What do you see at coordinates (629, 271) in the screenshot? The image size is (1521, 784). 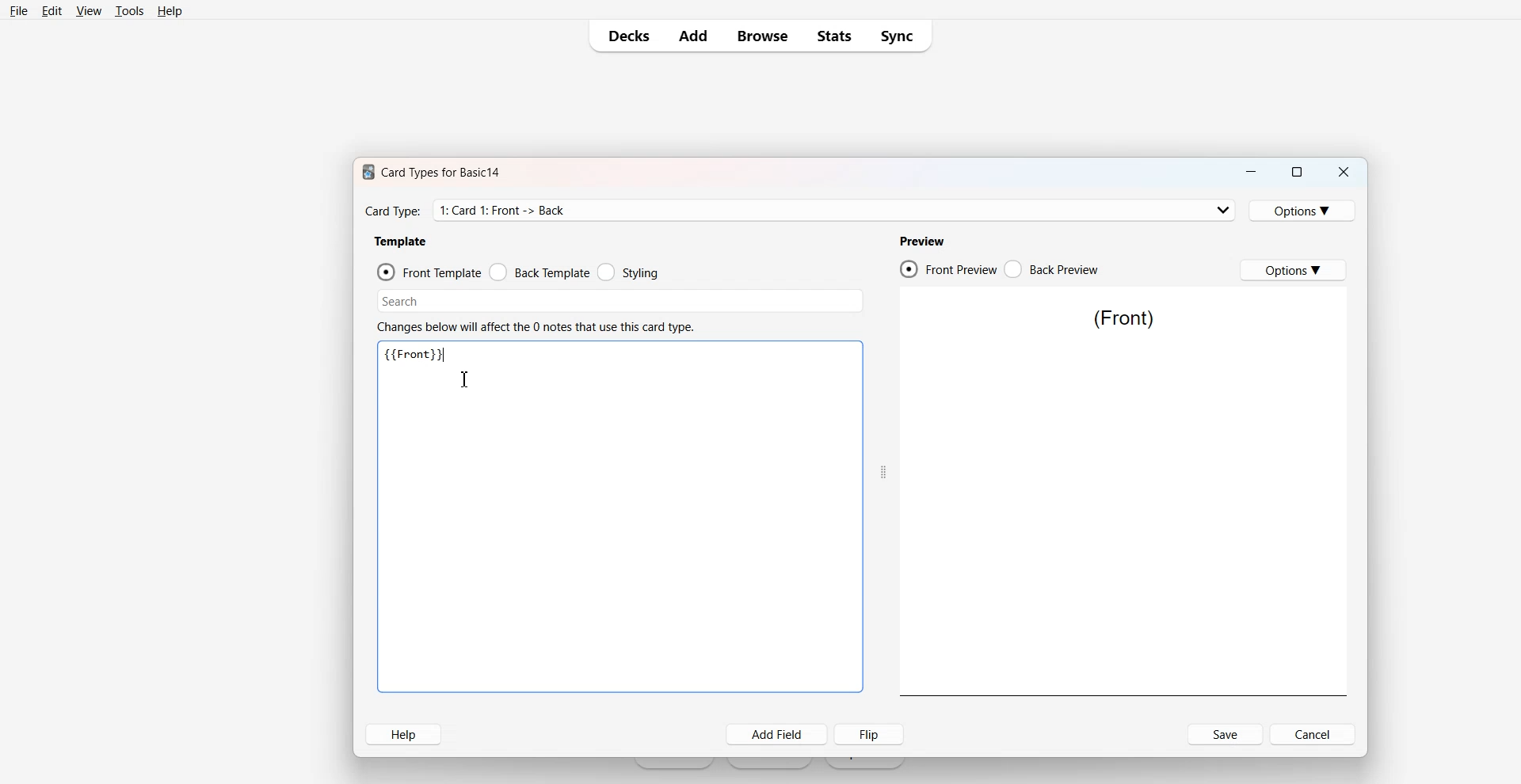 I see `Styling` at bounding box center [629, 271].